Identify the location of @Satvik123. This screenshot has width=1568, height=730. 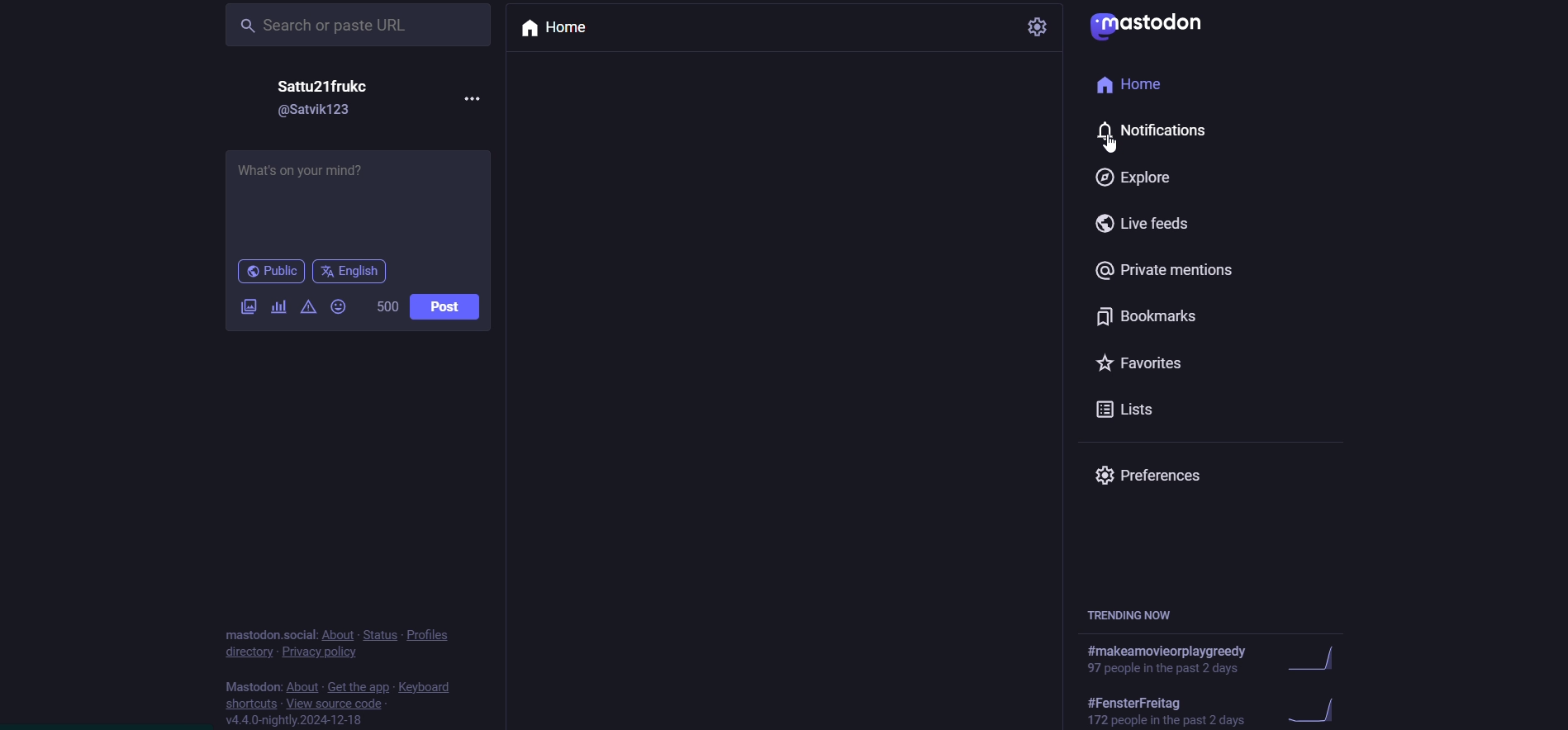
(317, 114).